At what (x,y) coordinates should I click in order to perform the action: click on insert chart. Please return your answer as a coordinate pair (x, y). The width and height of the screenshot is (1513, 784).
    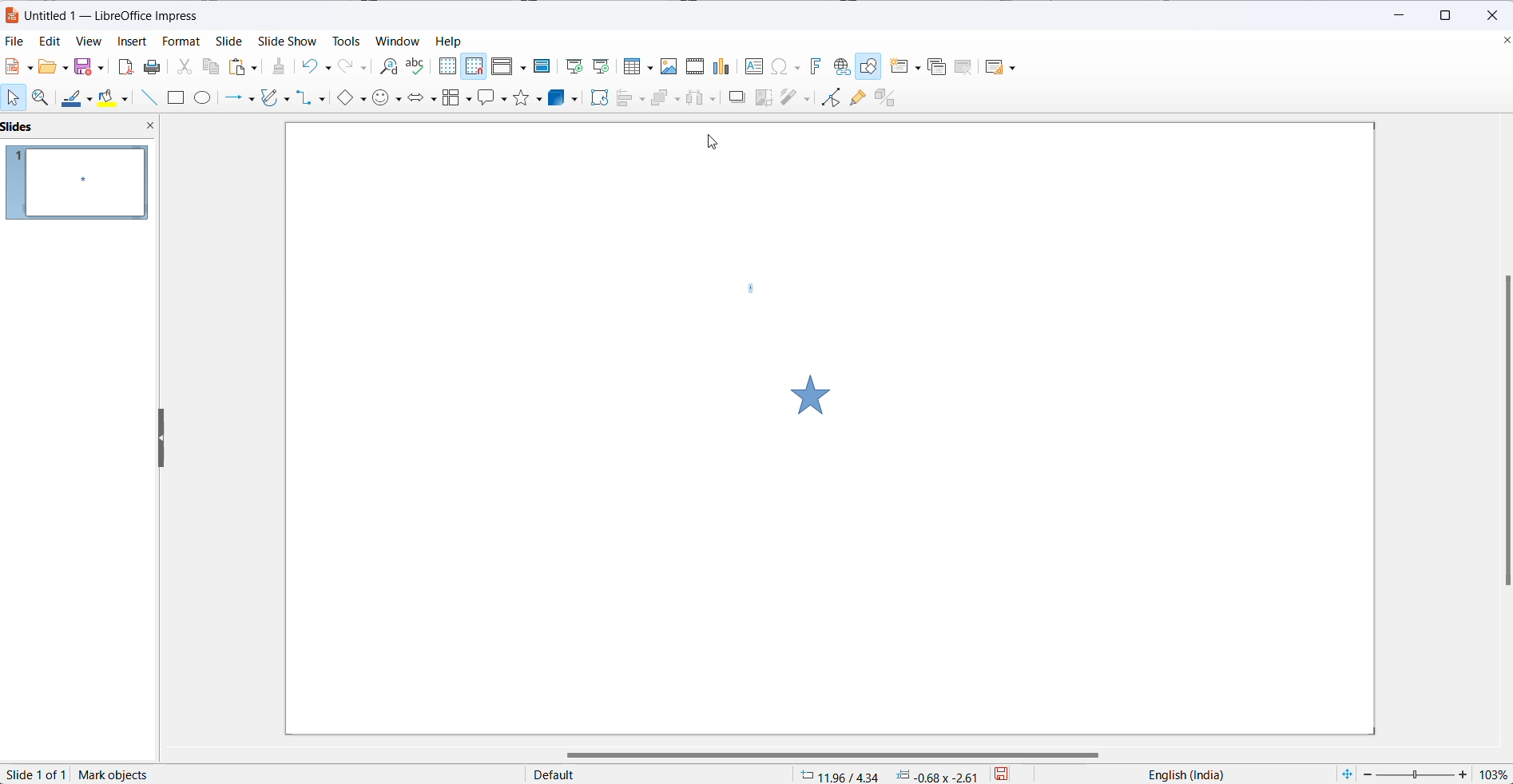
    Looking at the image, I should click on (722, 68).